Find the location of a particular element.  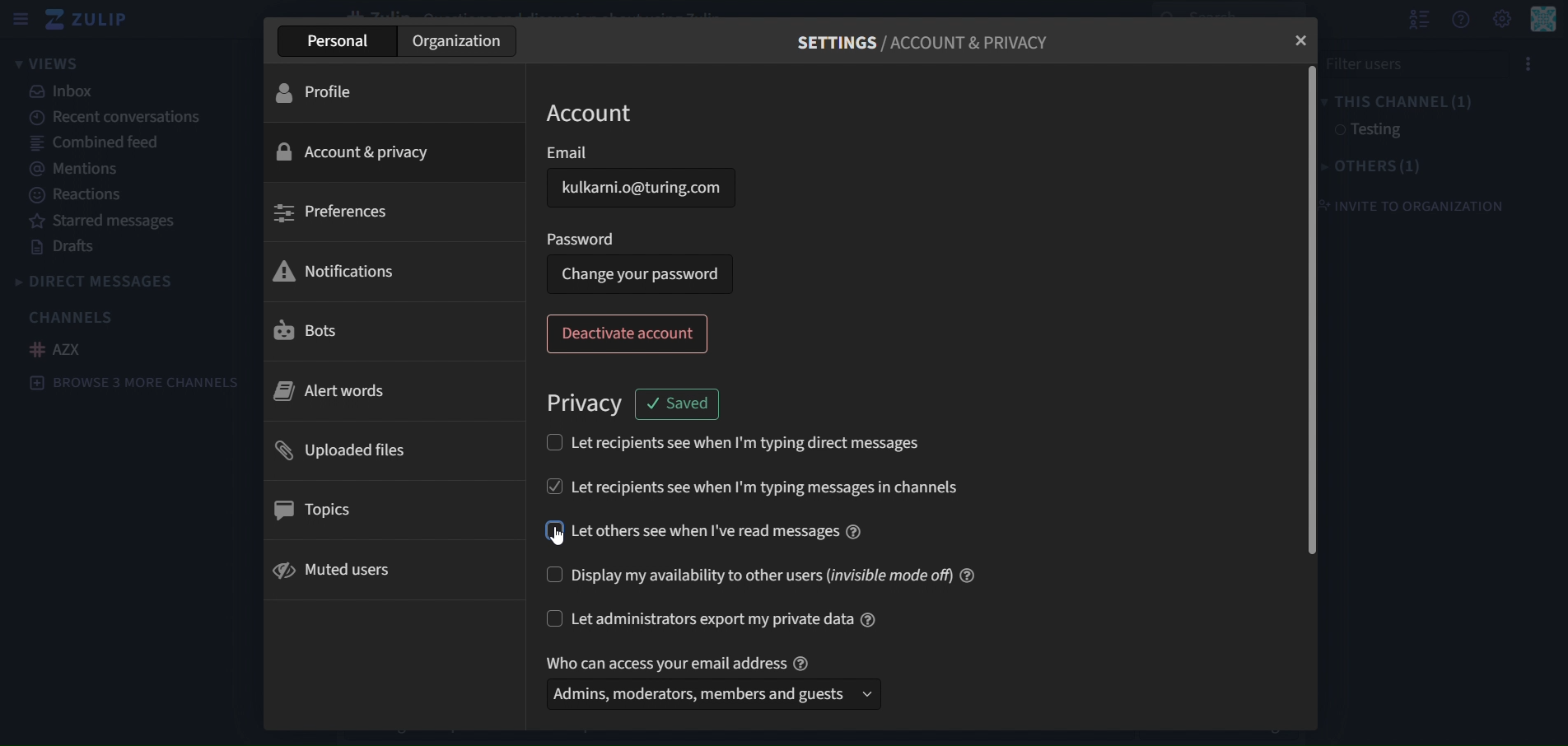

inbox is located at coordinates (65, 93).